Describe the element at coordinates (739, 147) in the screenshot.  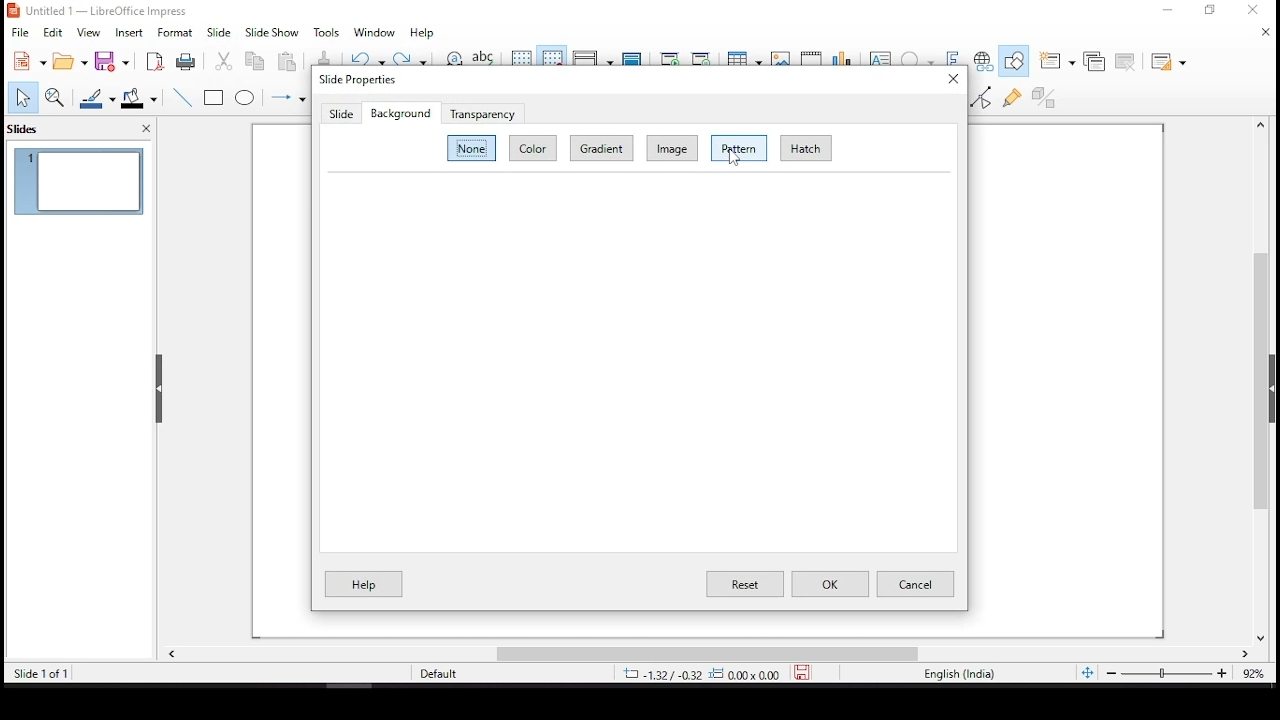
I see `pattern` at that location.